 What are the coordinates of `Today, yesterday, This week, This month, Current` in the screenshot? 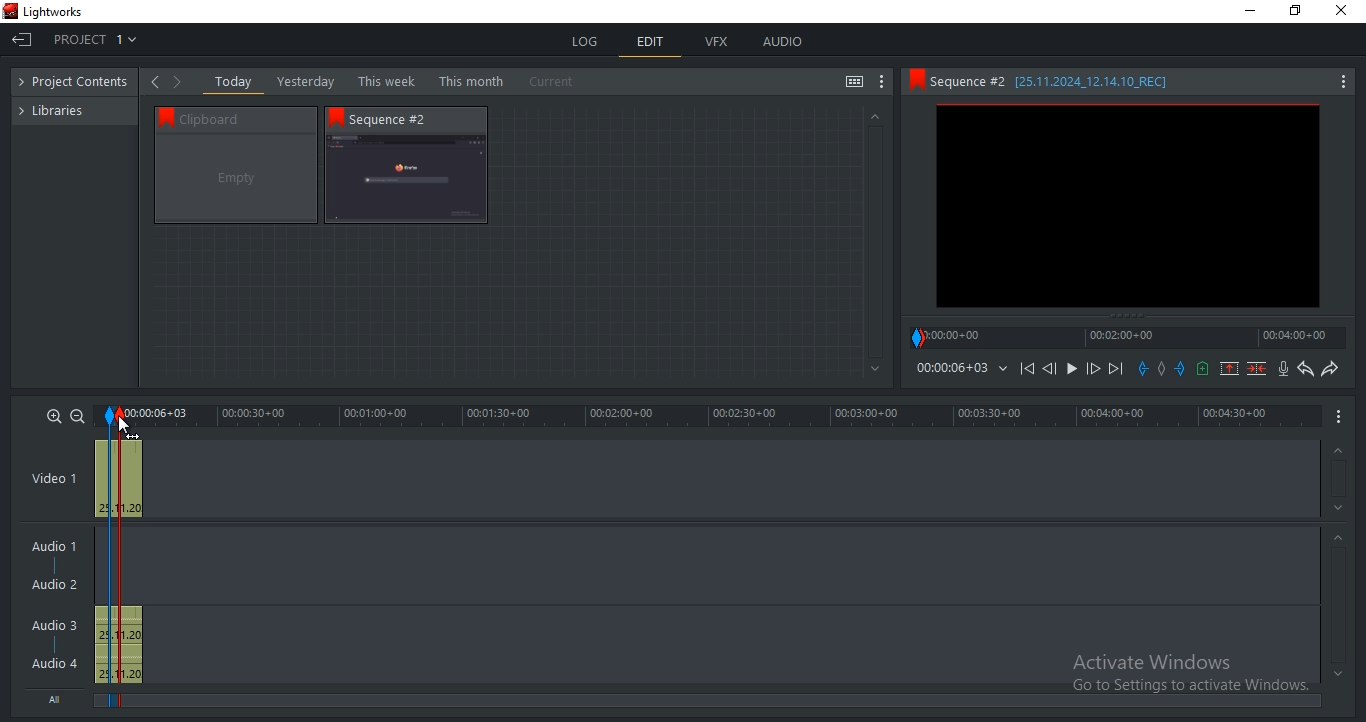 It's located at (399, 81).